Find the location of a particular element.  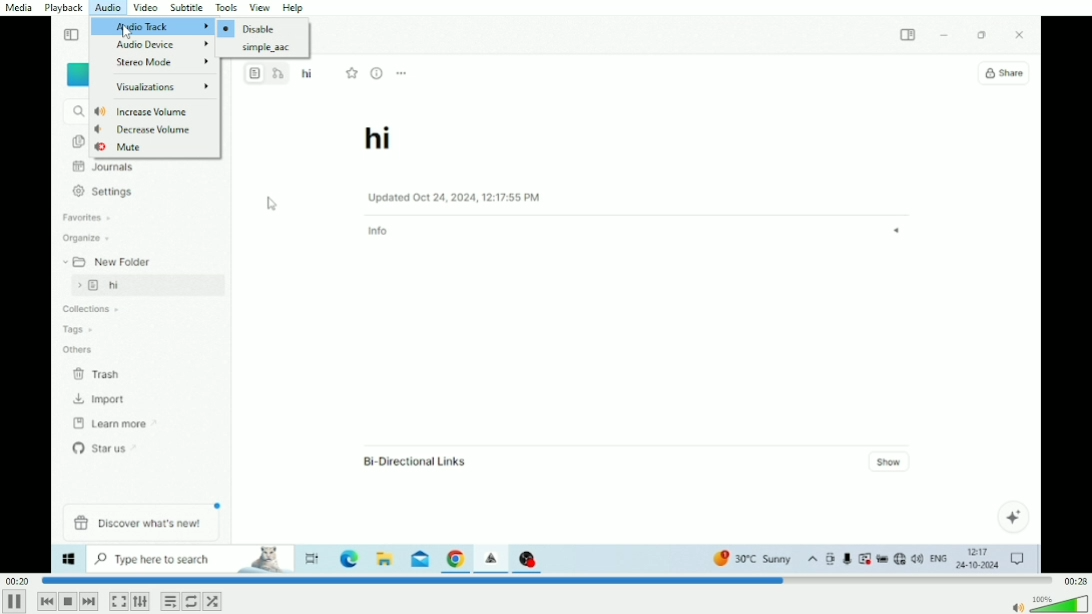

Show extended settings is located at coordinates (140, 602).